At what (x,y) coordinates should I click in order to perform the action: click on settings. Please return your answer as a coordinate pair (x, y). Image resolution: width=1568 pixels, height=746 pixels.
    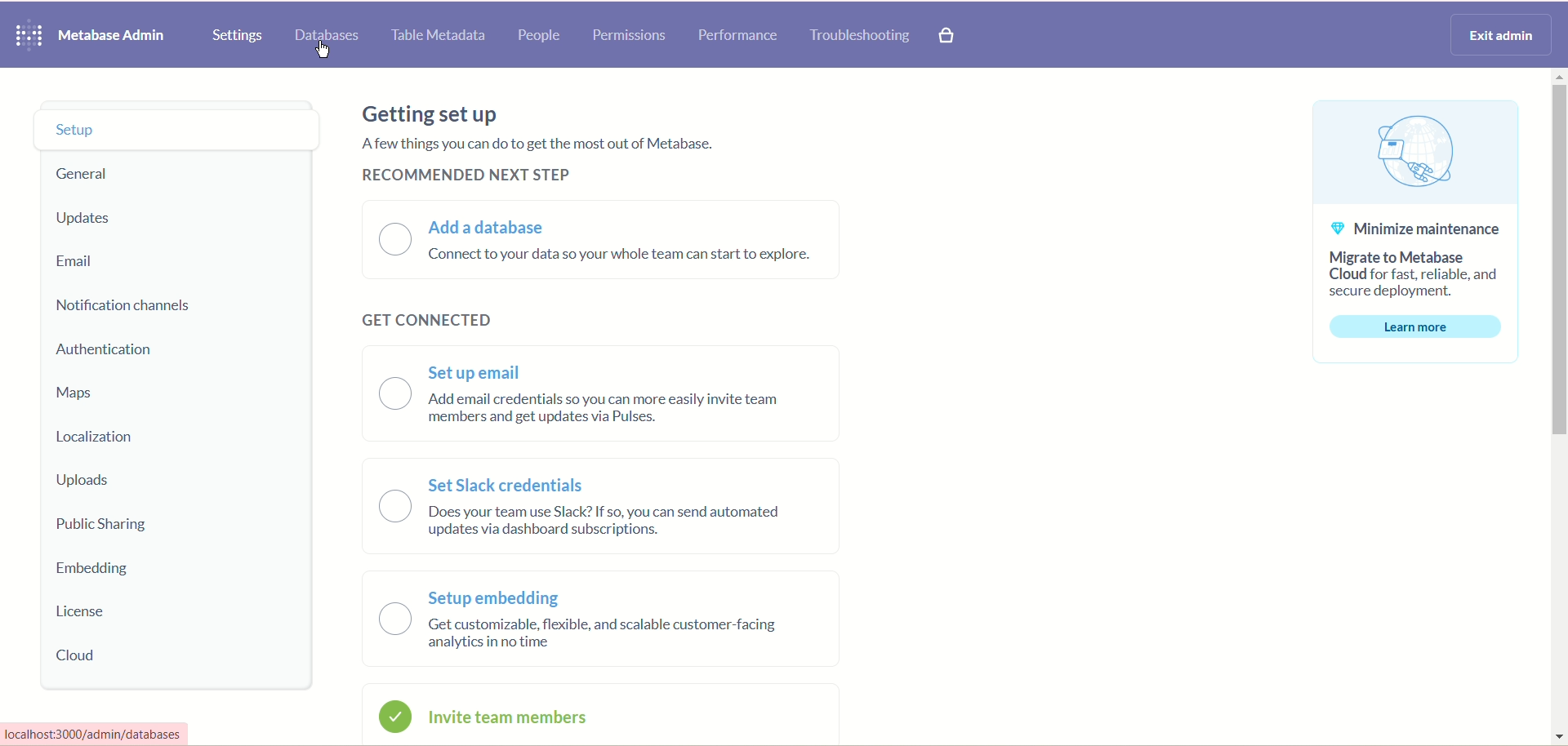
    Looking at the image, I should click on (238, 35).